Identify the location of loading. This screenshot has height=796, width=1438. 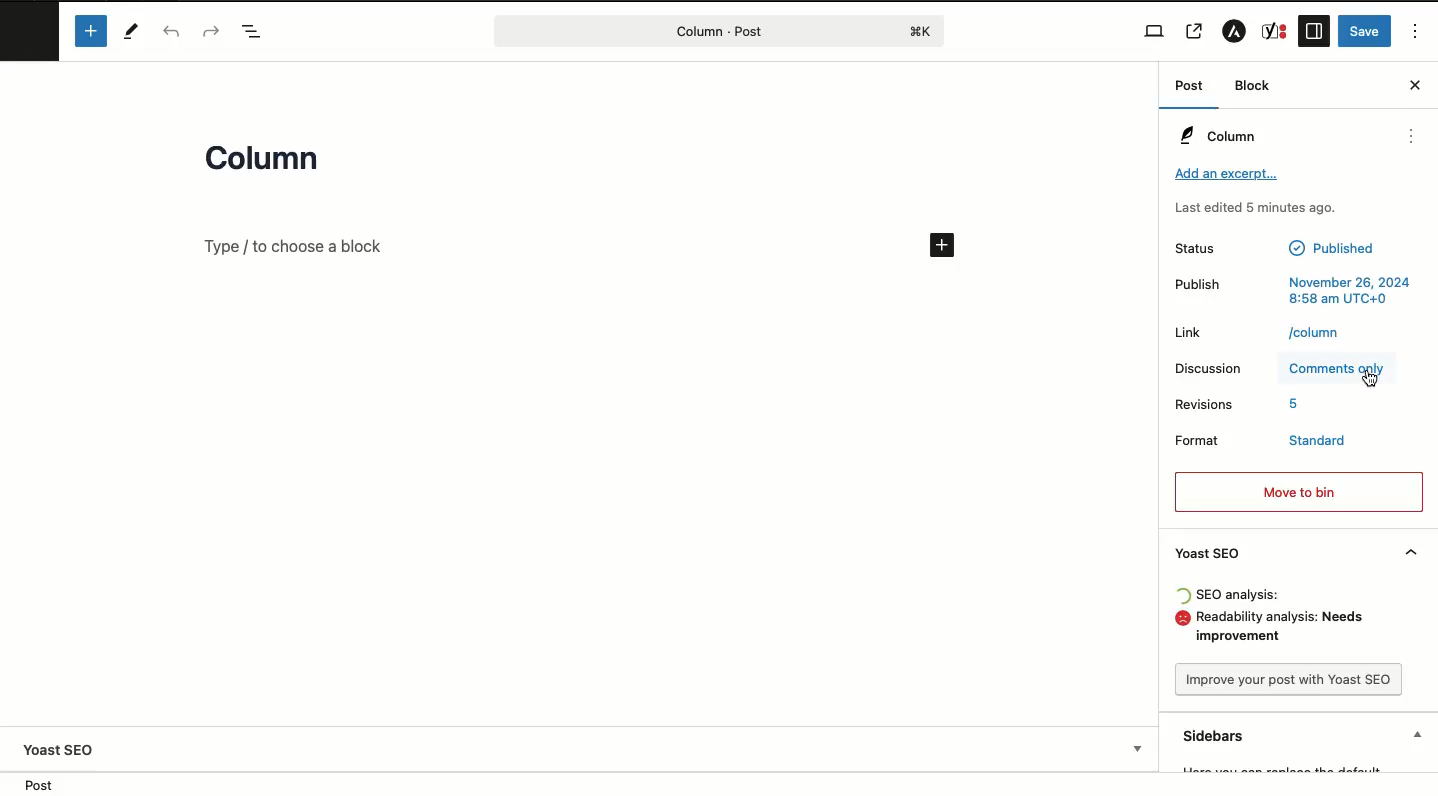
(1182, 598).